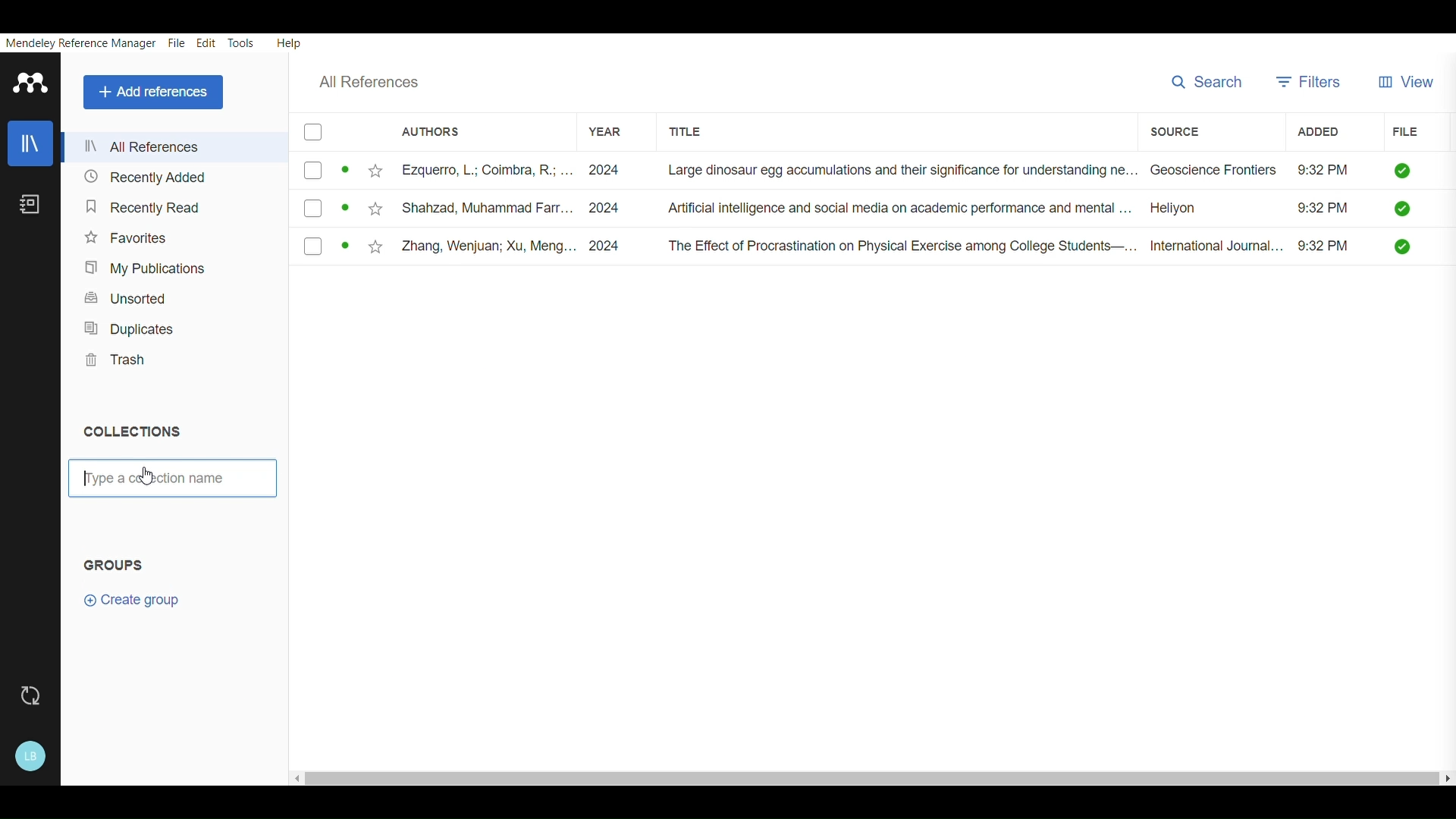  I want to click on Favorites, so click(130, 234).